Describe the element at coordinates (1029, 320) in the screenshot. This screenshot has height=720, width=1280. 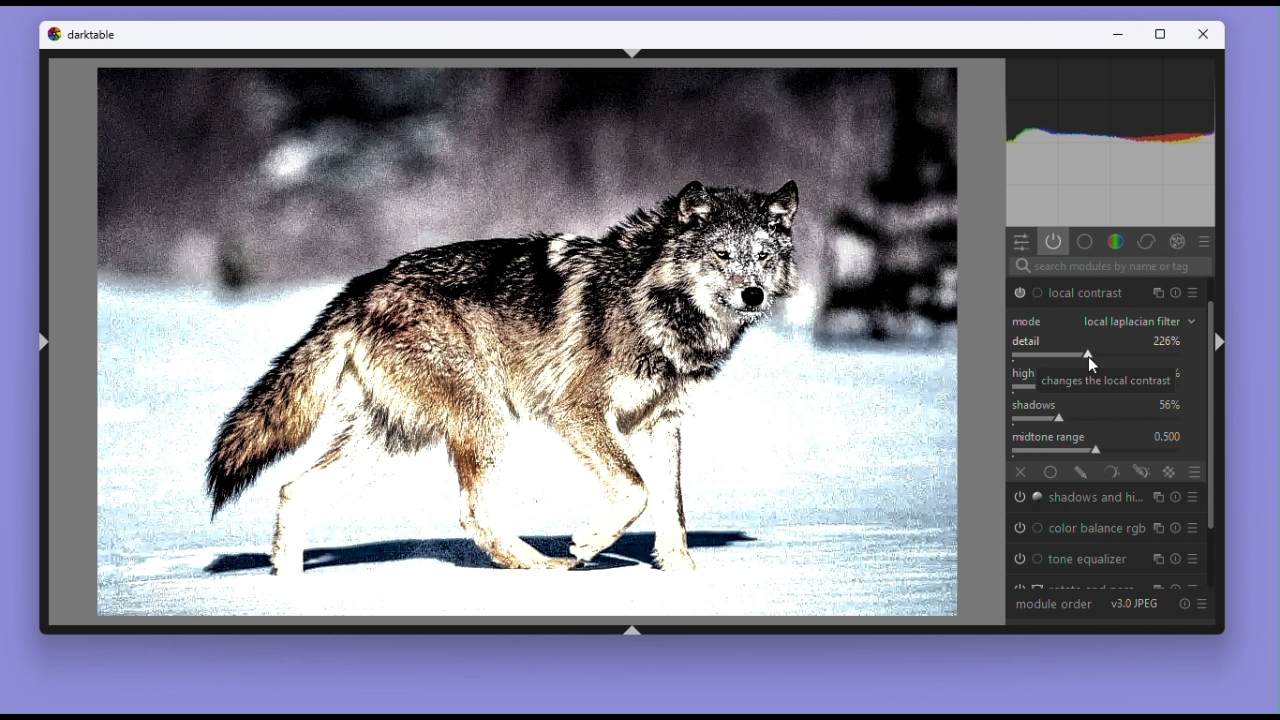
I see `Mode` at that location.